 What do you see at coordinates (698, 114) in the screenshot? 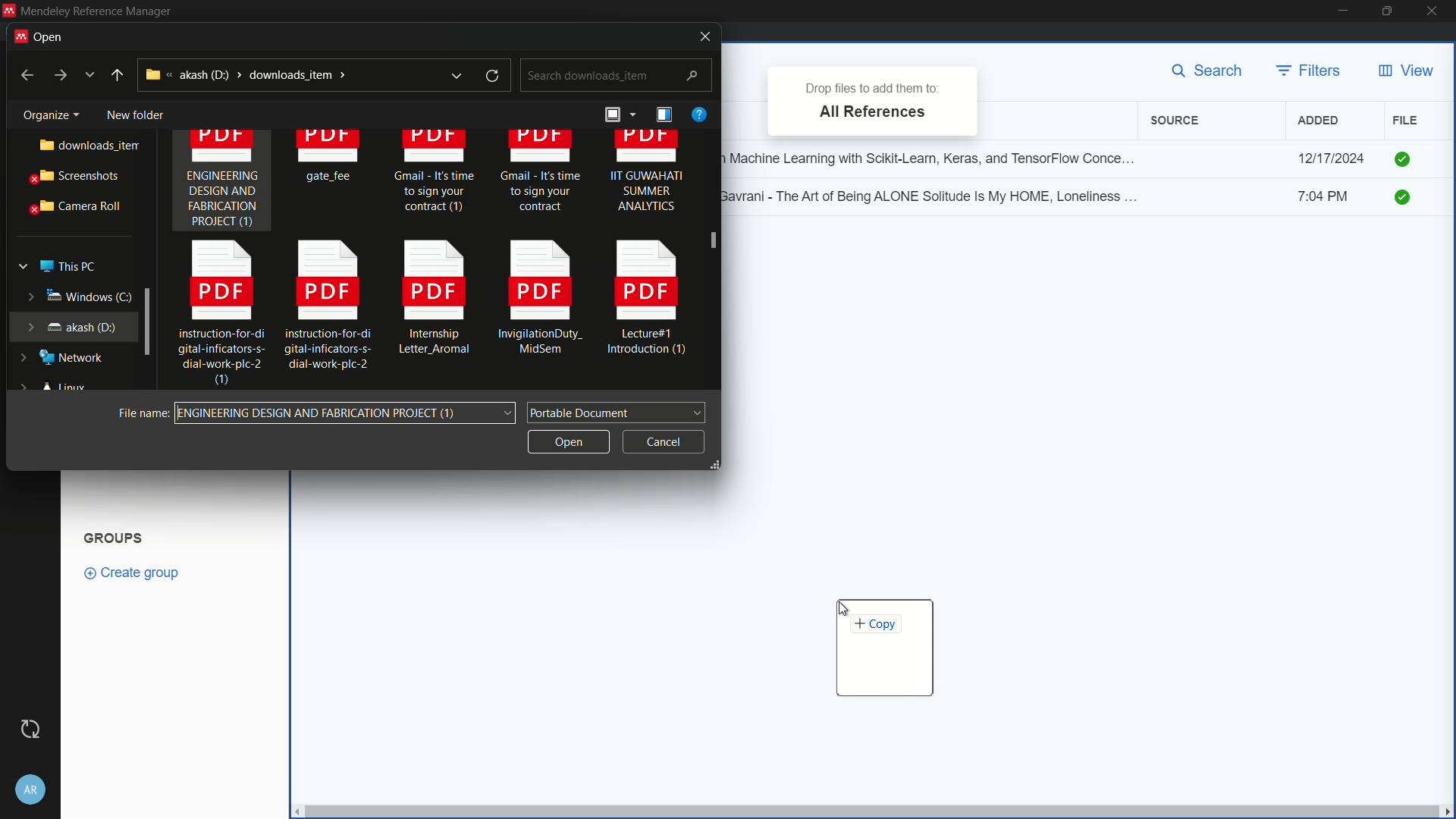
I see `help` at bounding box center [698, 114].